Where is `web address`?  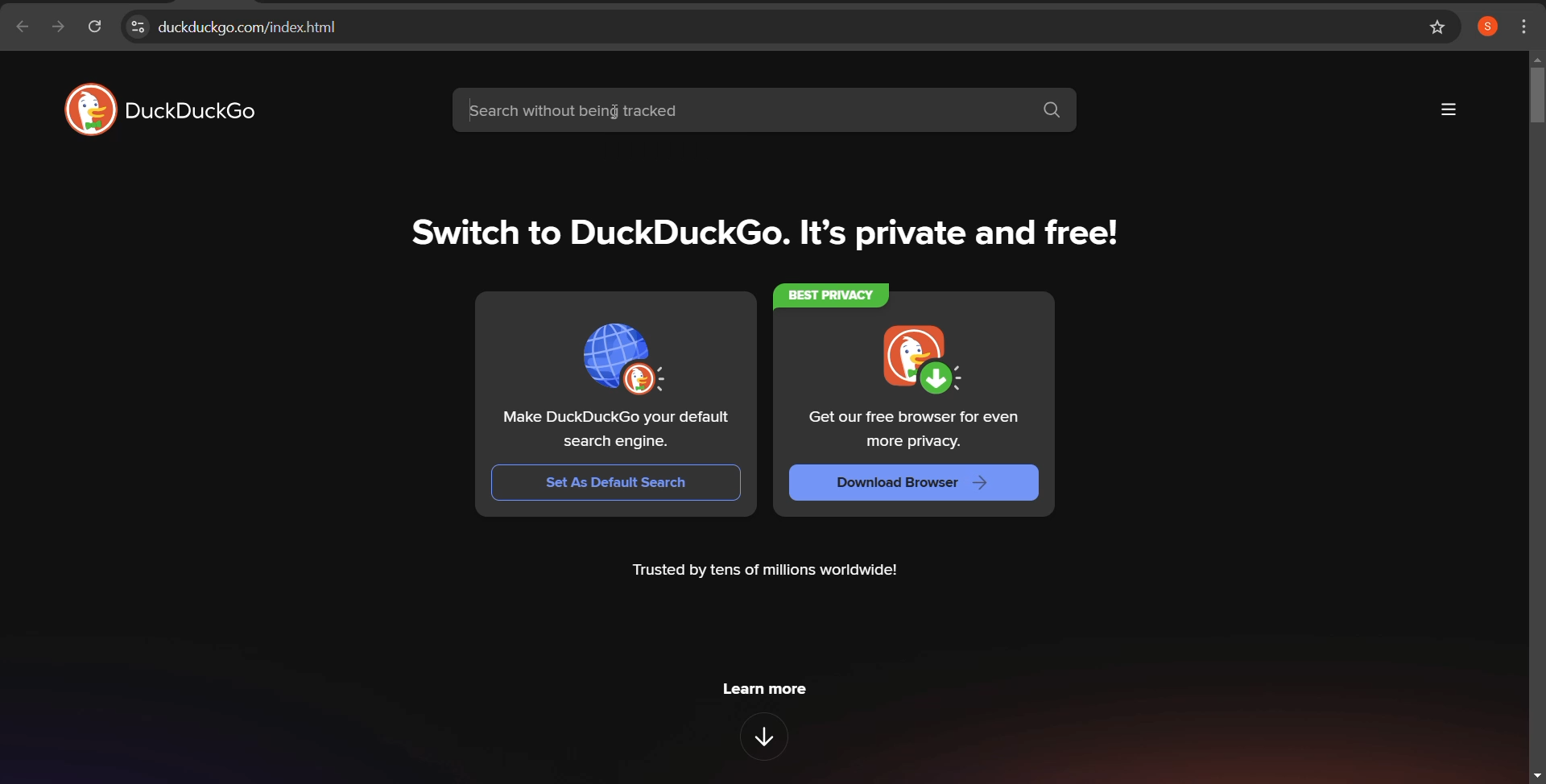
web address is located at coordinates (756, 27).